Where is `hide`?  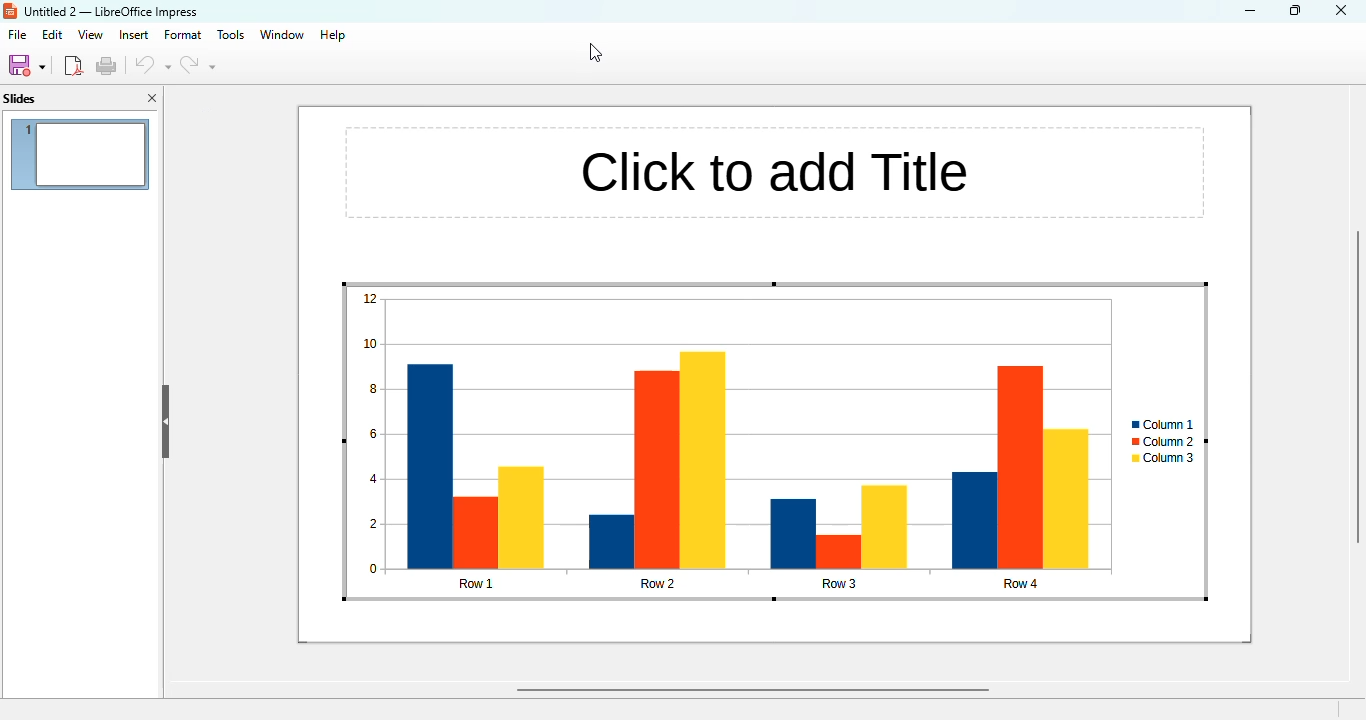 hide is located at coordinates (167, 411).